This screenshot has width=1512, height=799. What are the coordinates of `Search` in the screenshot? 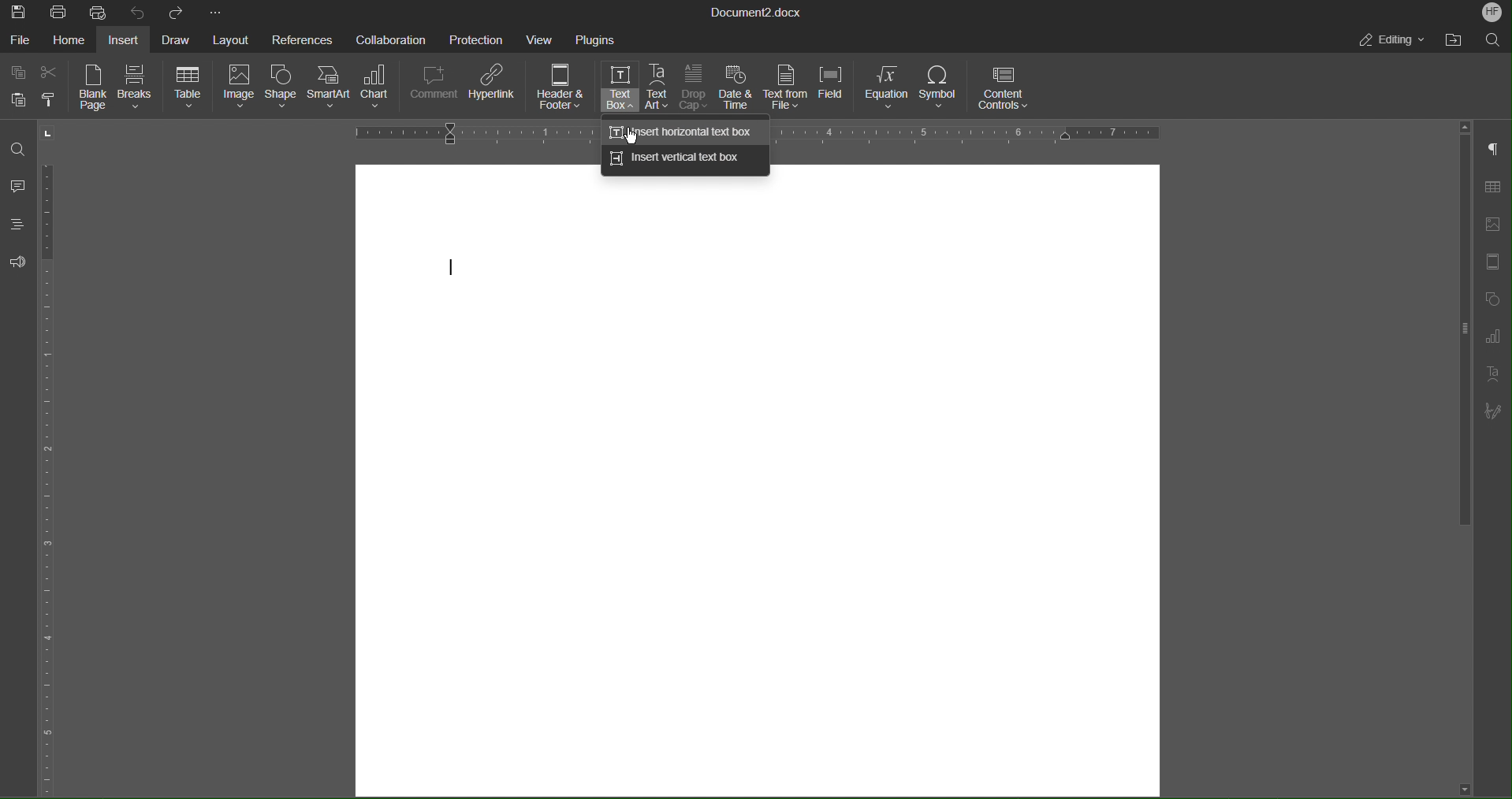 It's located at (1493, 39).